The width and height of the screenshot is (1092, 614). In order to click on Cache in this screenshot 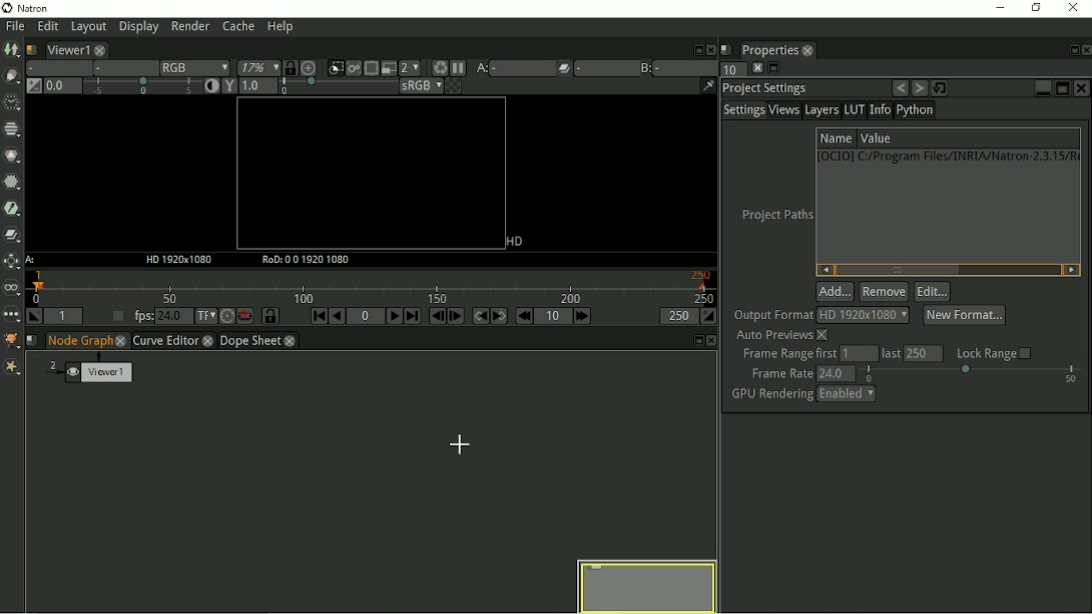, I will do `click(237, 27)`.